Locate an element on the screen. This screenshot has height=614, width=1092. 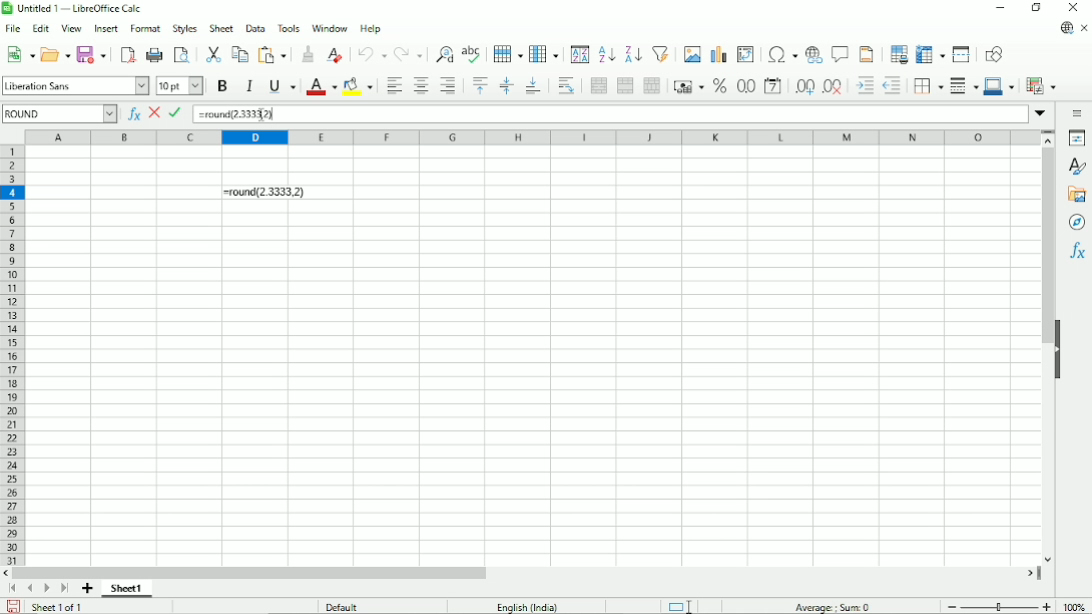
Vertical scrollbar is located at coordinates (1047, 246).